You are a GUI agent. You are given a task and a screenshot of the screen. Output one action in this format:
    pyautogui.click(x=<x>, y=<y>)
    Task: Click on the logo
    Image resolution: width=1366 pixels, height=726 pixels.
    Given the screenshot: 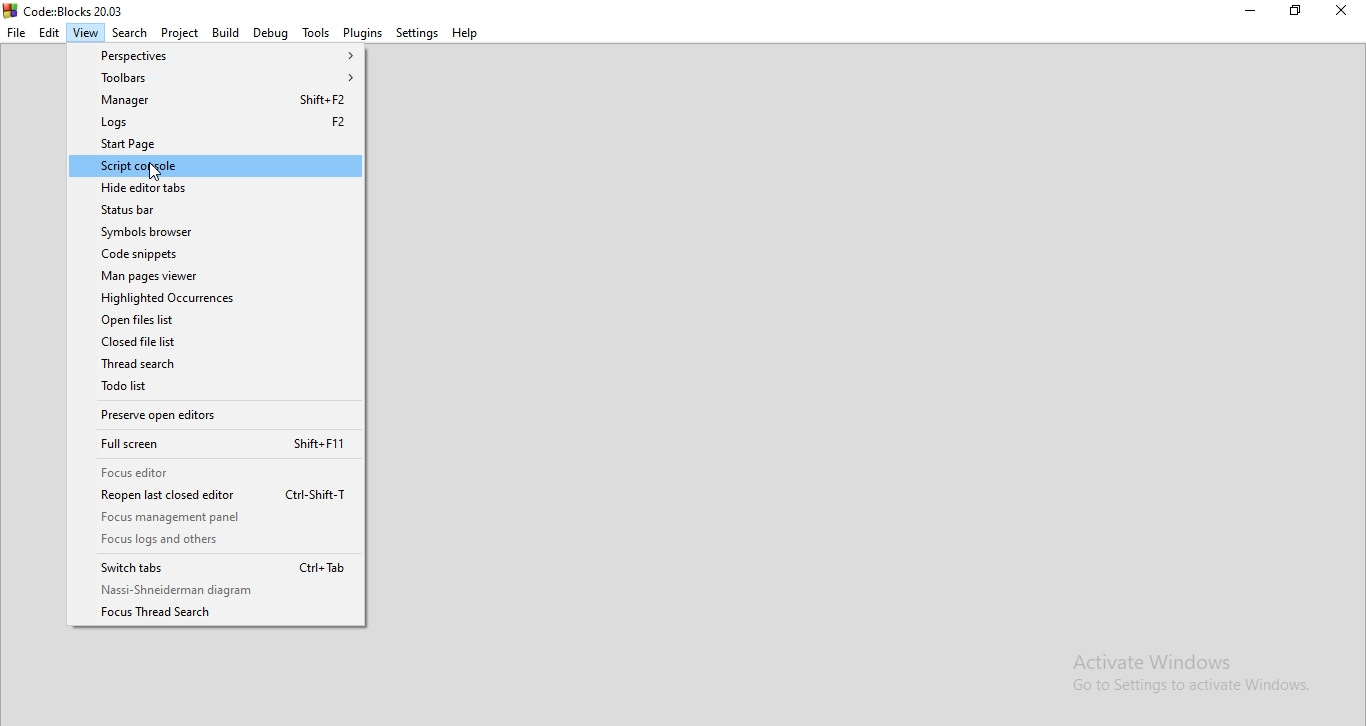 What is the action you would take?
    pyautogui.click(x=73, y=10)
    